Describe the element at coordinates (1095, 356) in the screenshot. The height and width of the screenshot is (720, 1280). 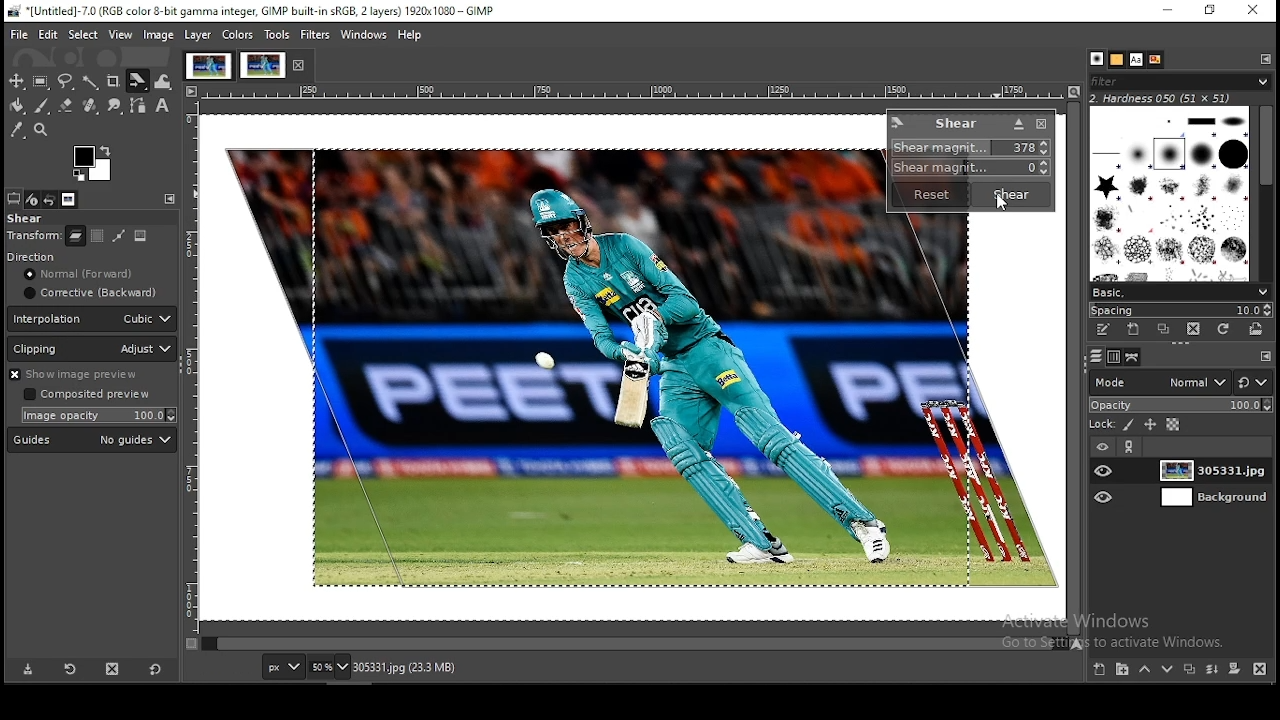
I see `paths` at that location.